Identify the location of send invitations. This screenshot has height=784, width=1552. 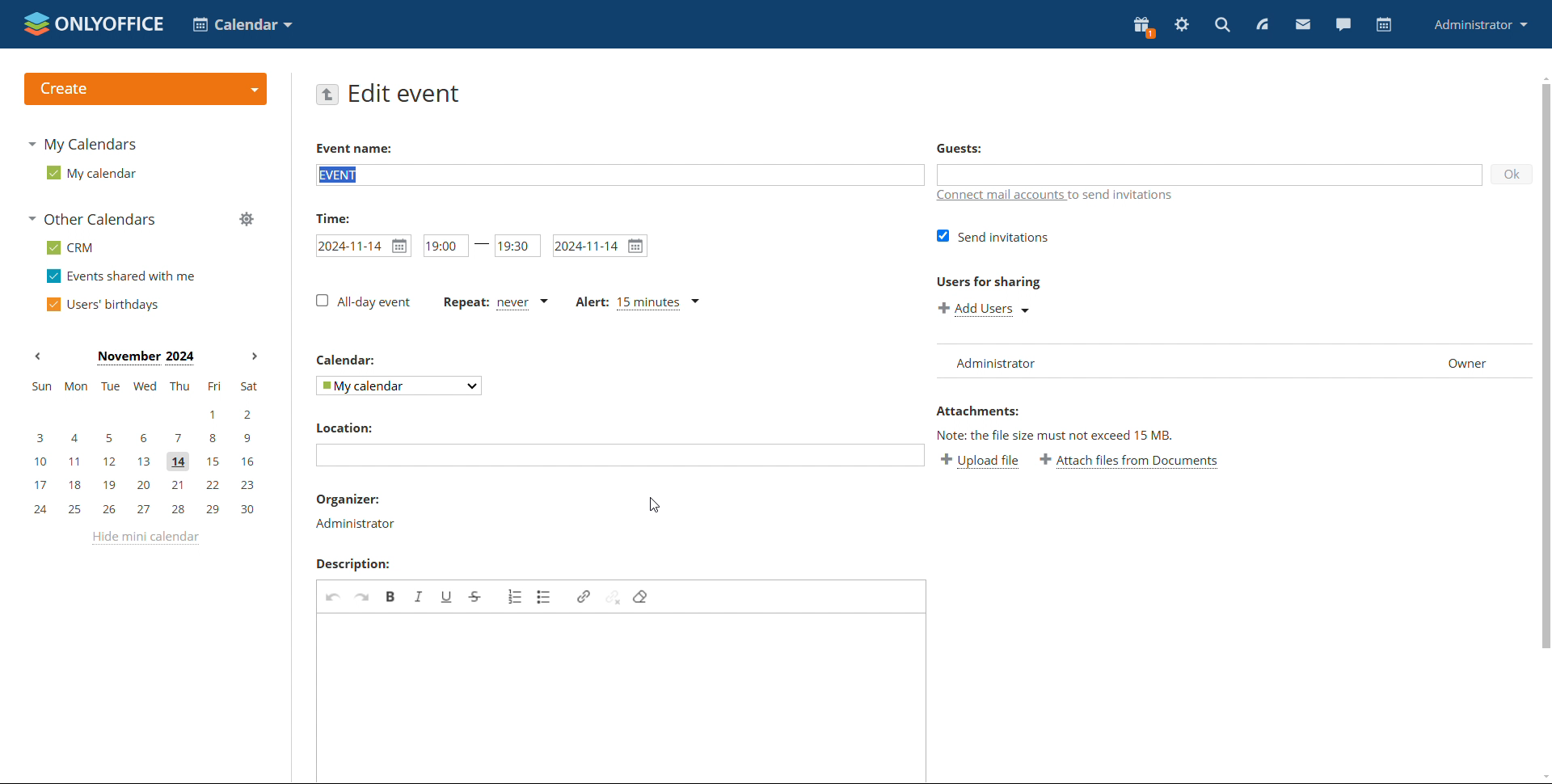
(991, 238).